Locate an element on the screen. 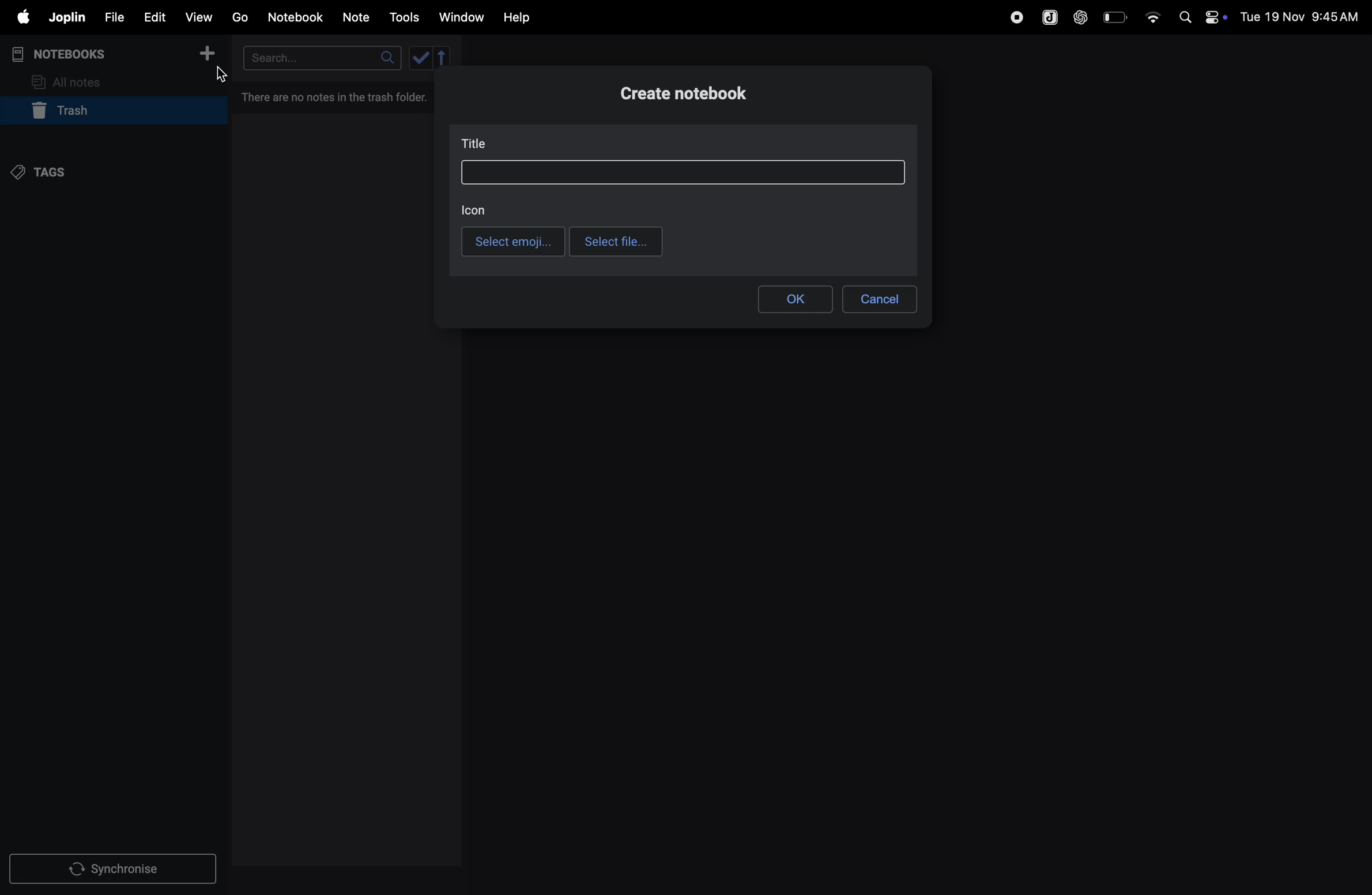 The image size is (1372, 895). battery is located at coordinates (1116, 16).